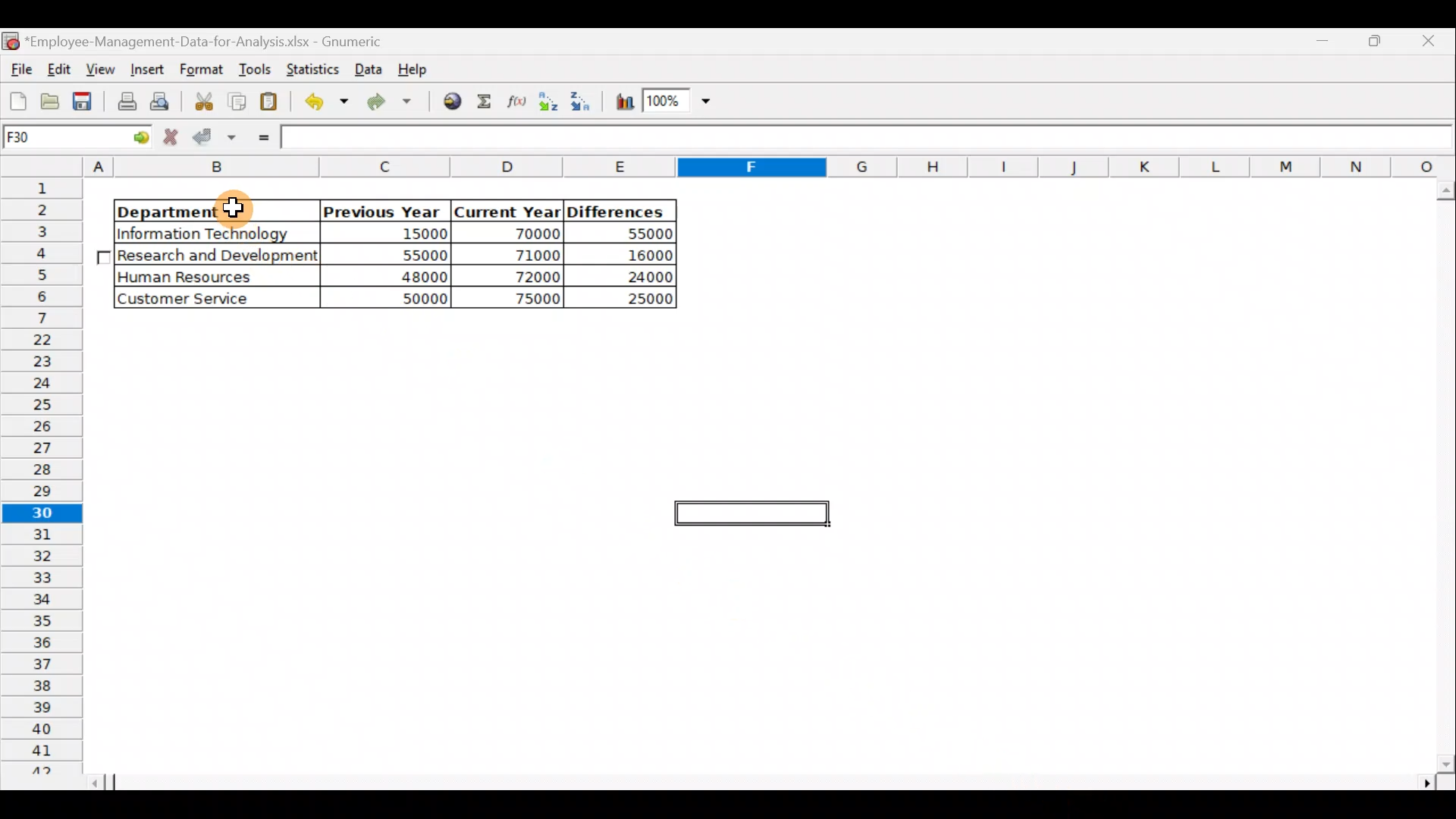 The height and width of the screenshot is (819, 1456). Describe the element at coordinates (203, 99) in the screenshot. I see `Cut the selection` at that location.